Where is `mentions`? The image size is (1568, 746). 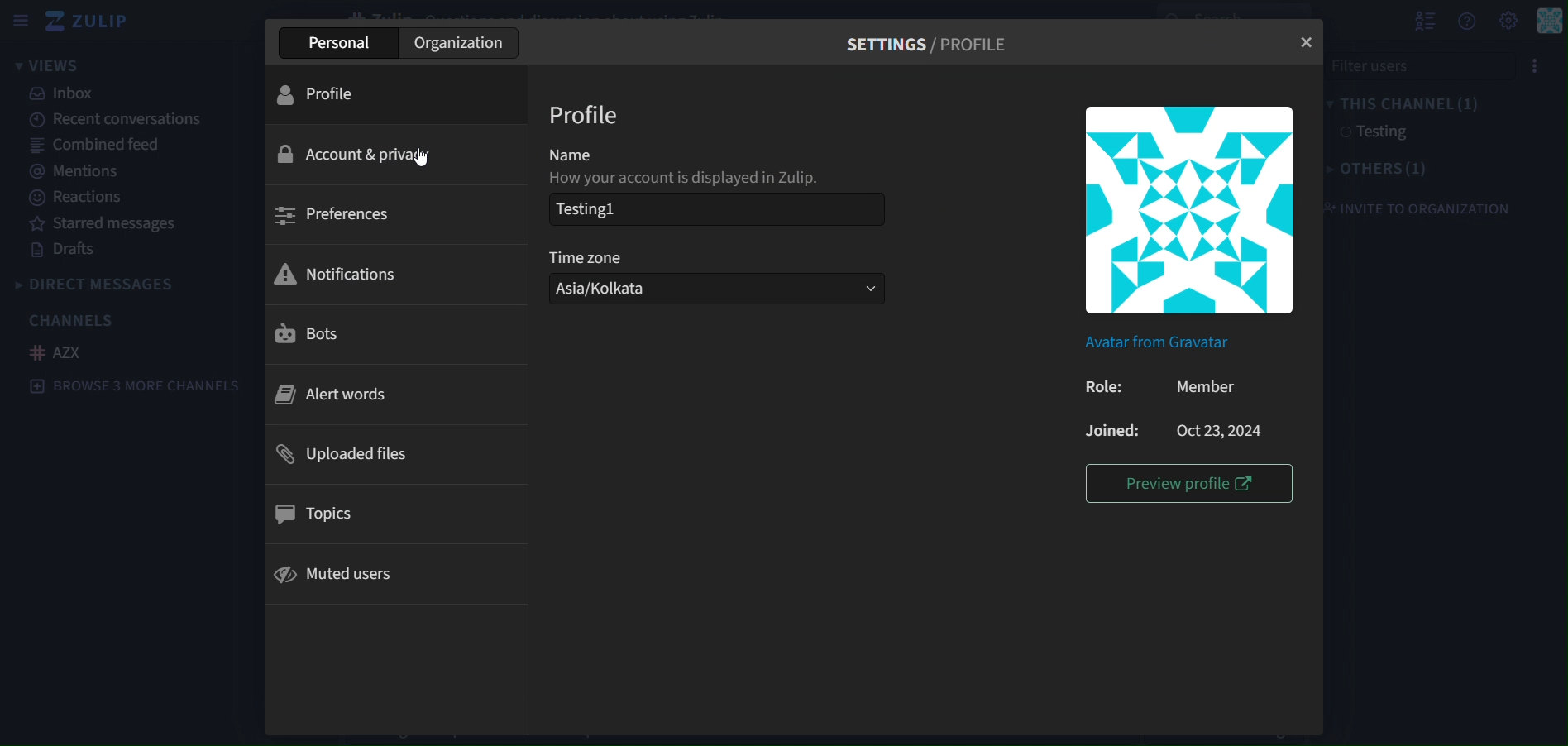 mentions is located at coordinates (78, 171).